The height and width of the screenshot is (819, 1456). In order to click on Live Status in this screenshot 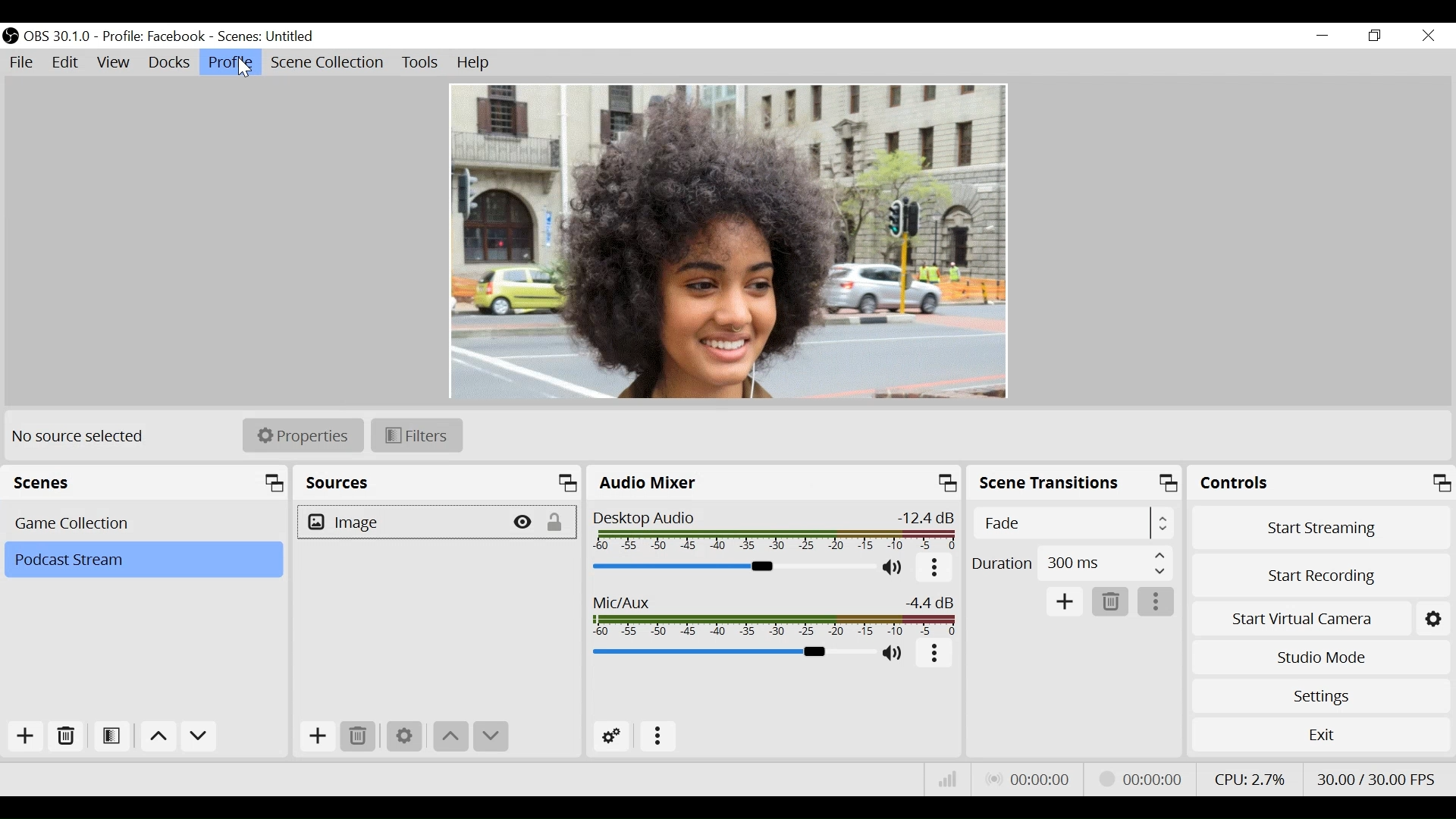, I will do `click(1032, 781)`.